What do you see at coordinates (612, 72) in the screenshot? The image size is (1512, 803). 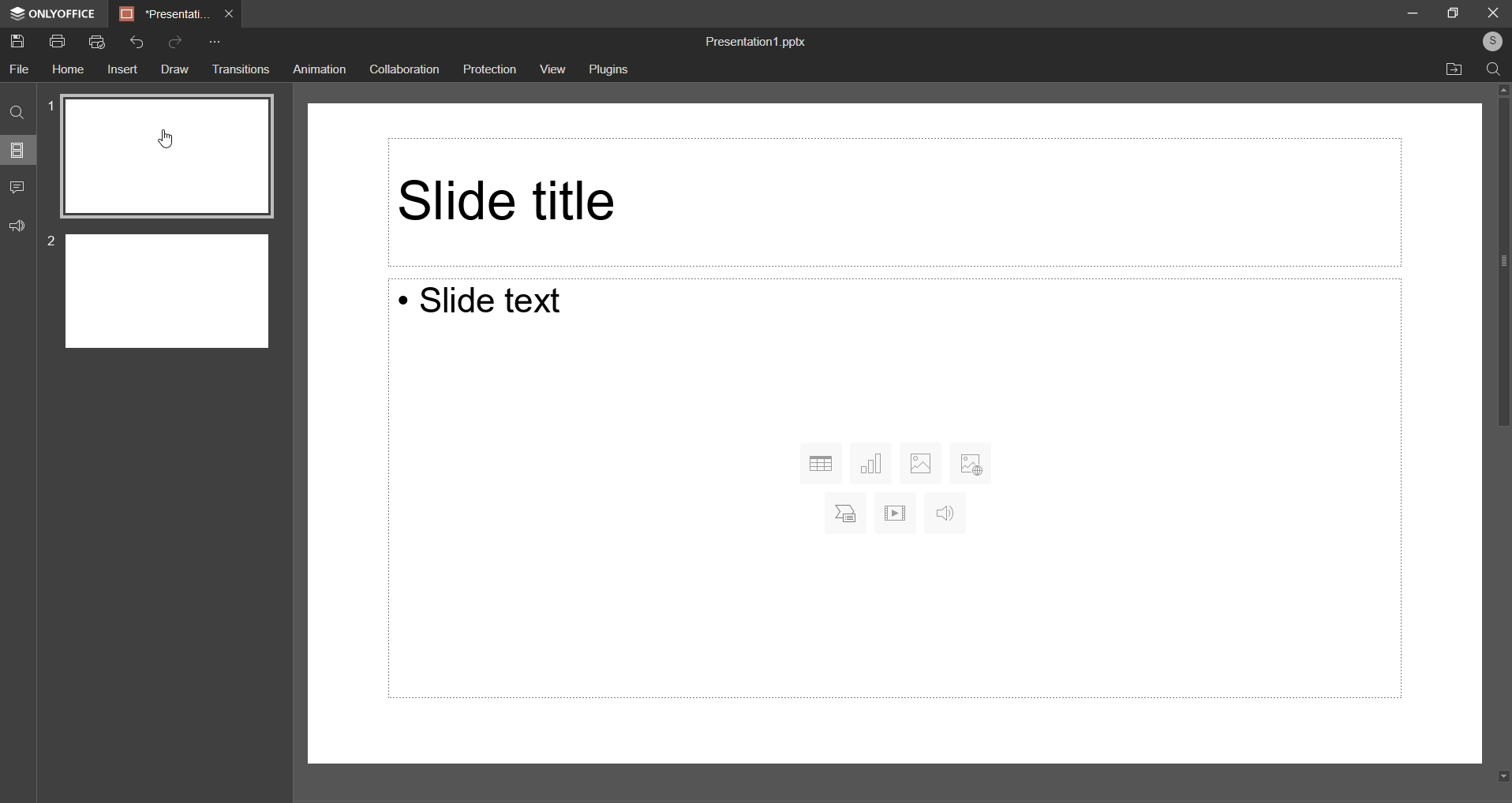 I see `Plugins` at bounding box center [612, 72].